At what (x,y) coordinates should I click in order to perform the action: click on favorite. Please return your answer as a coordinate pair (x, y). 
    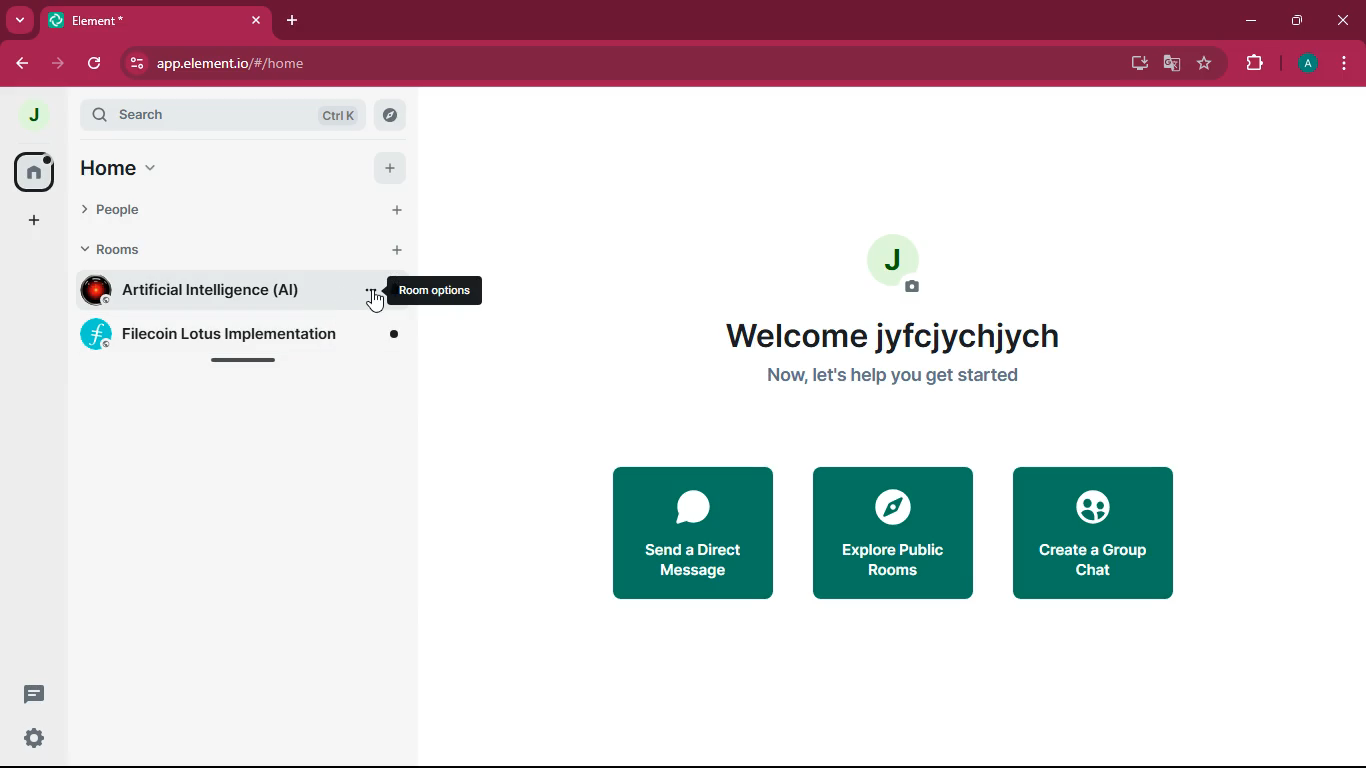
    Looking at the image, I should click on (1204, 66).